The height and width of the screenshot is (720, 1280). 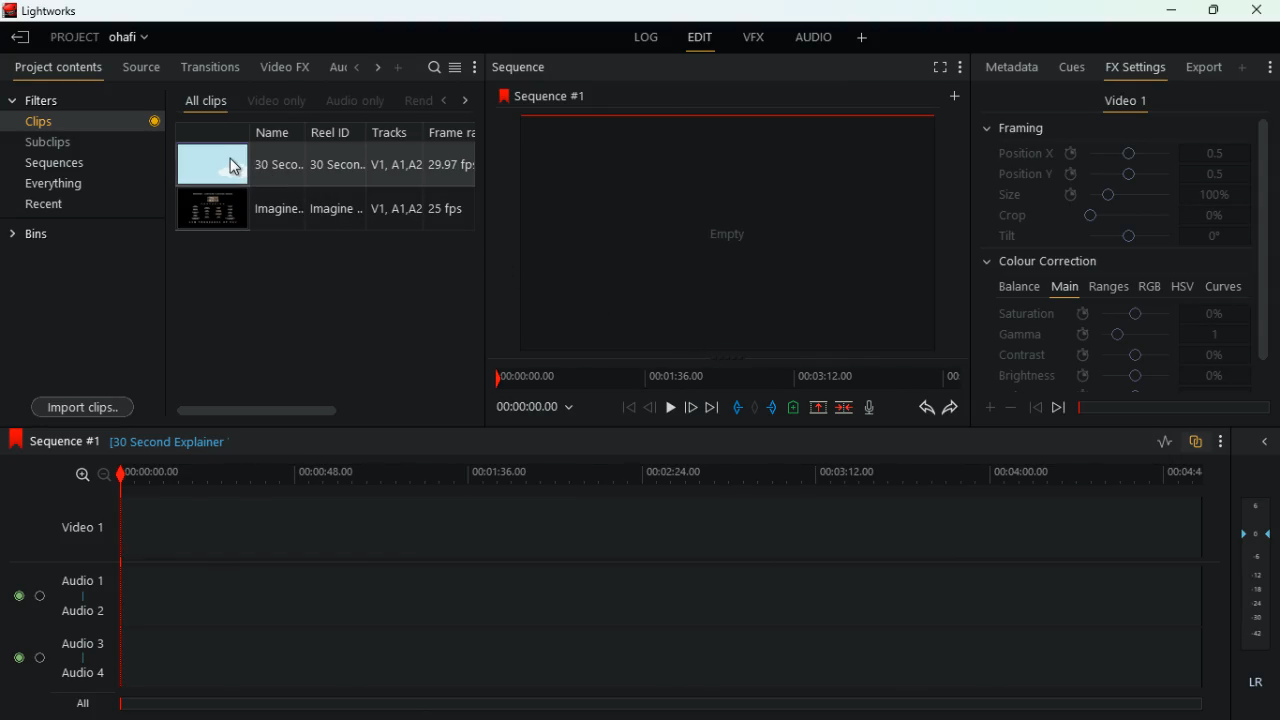 I want to click on close, so click(x=1258, y=10).